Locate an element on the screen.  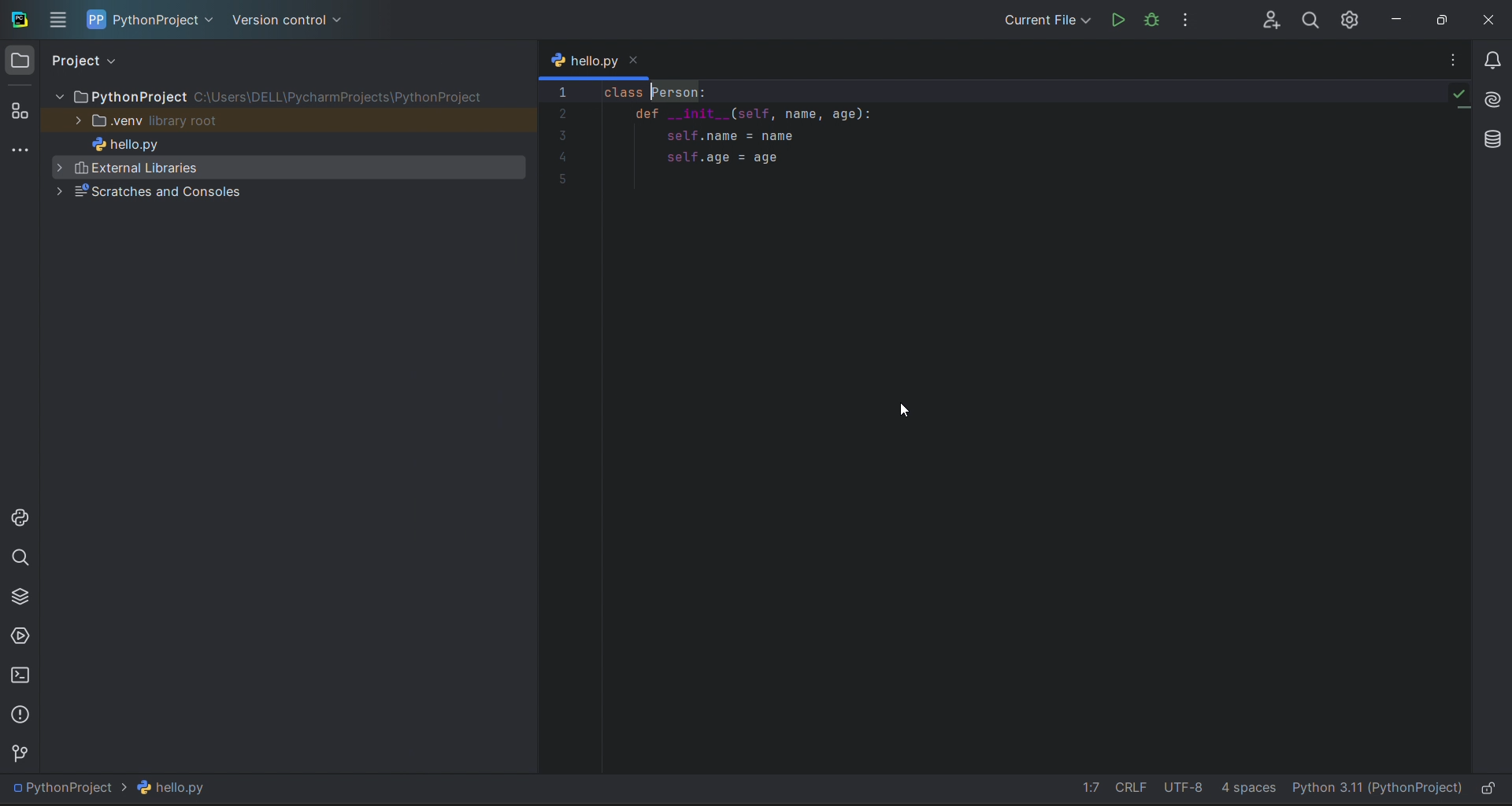
structur is located at coordinates (20, 110).